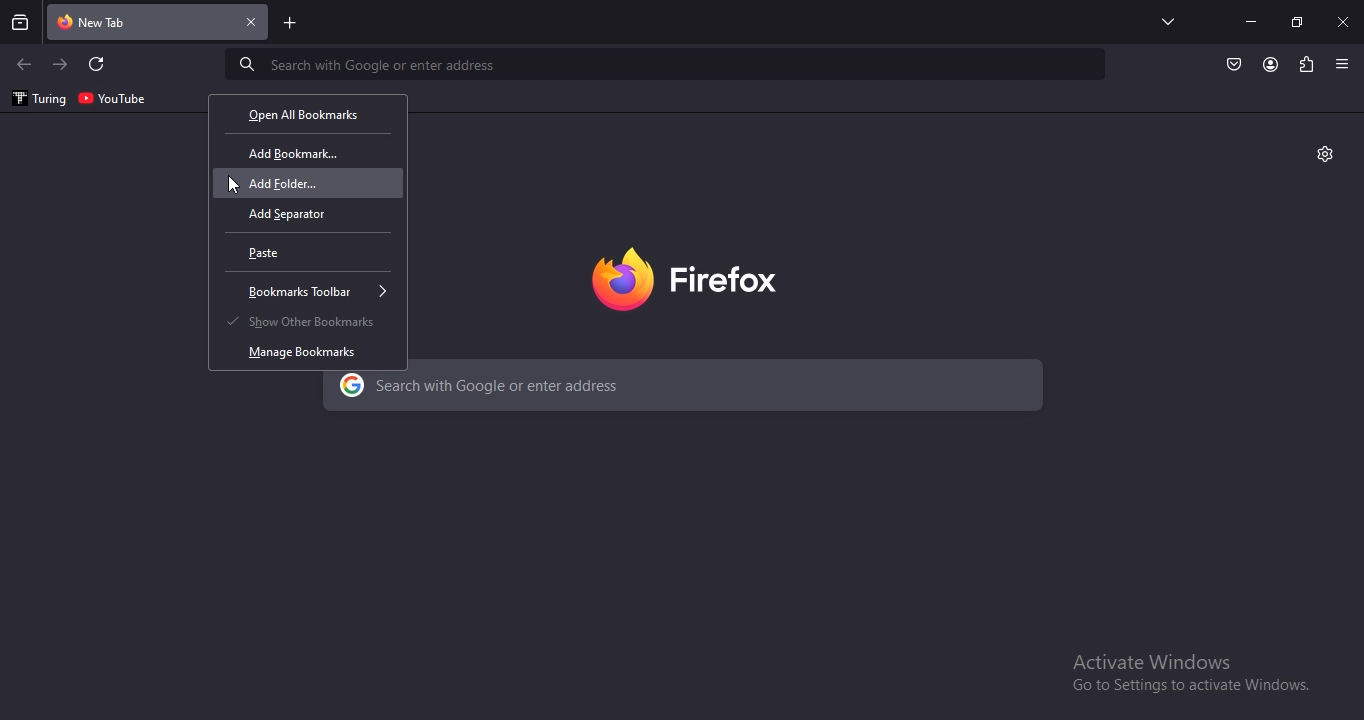 The image size is (1364, 720). Describe the element at coordinates (681, 276) in the screenshot. I see `firebox` at that location.